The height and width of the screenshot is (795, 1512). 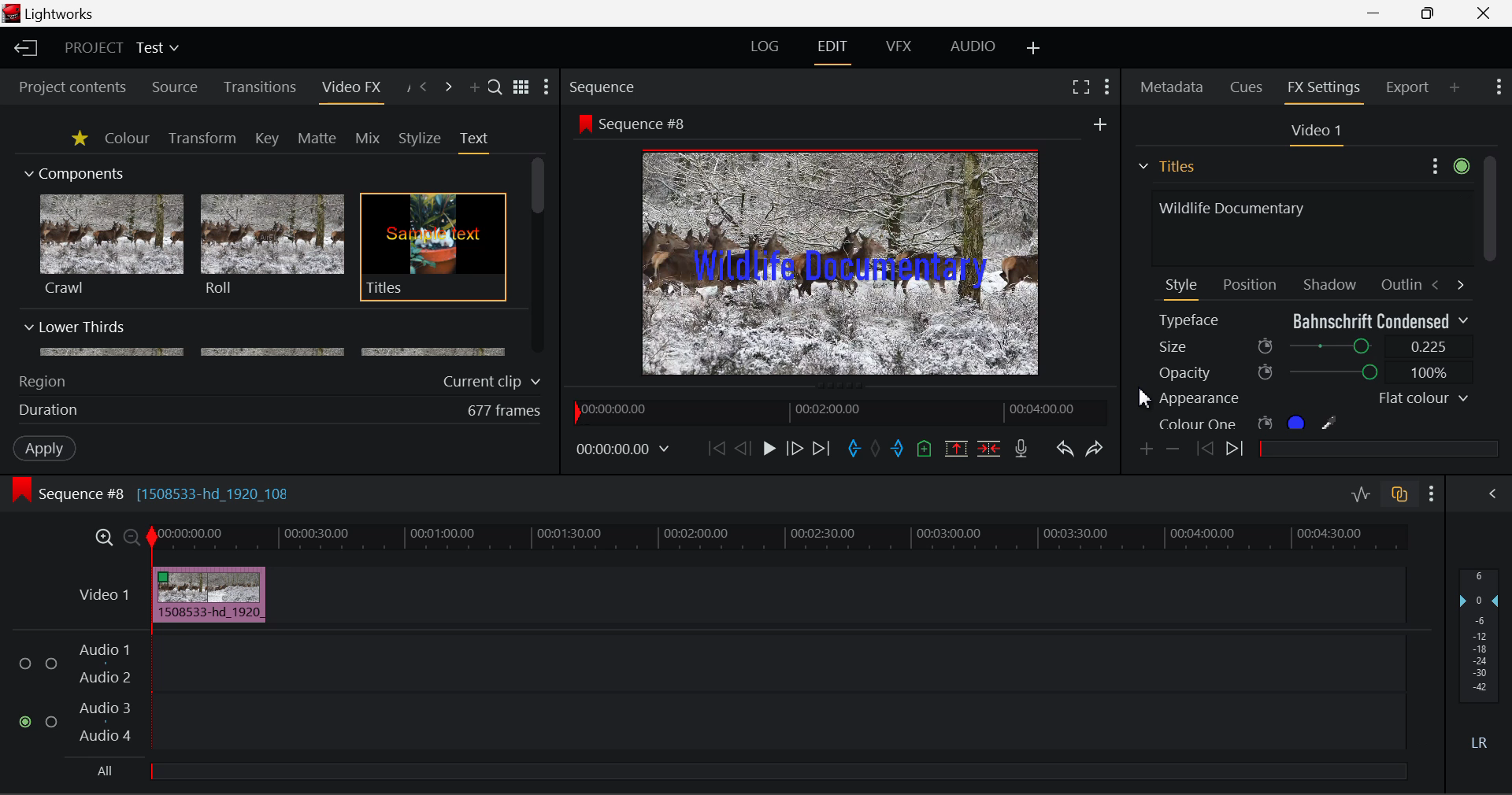 What do you see at coordinates (28, 723) in the screenshot?
I see `checked checkbox` at bounding box center [28, 723].